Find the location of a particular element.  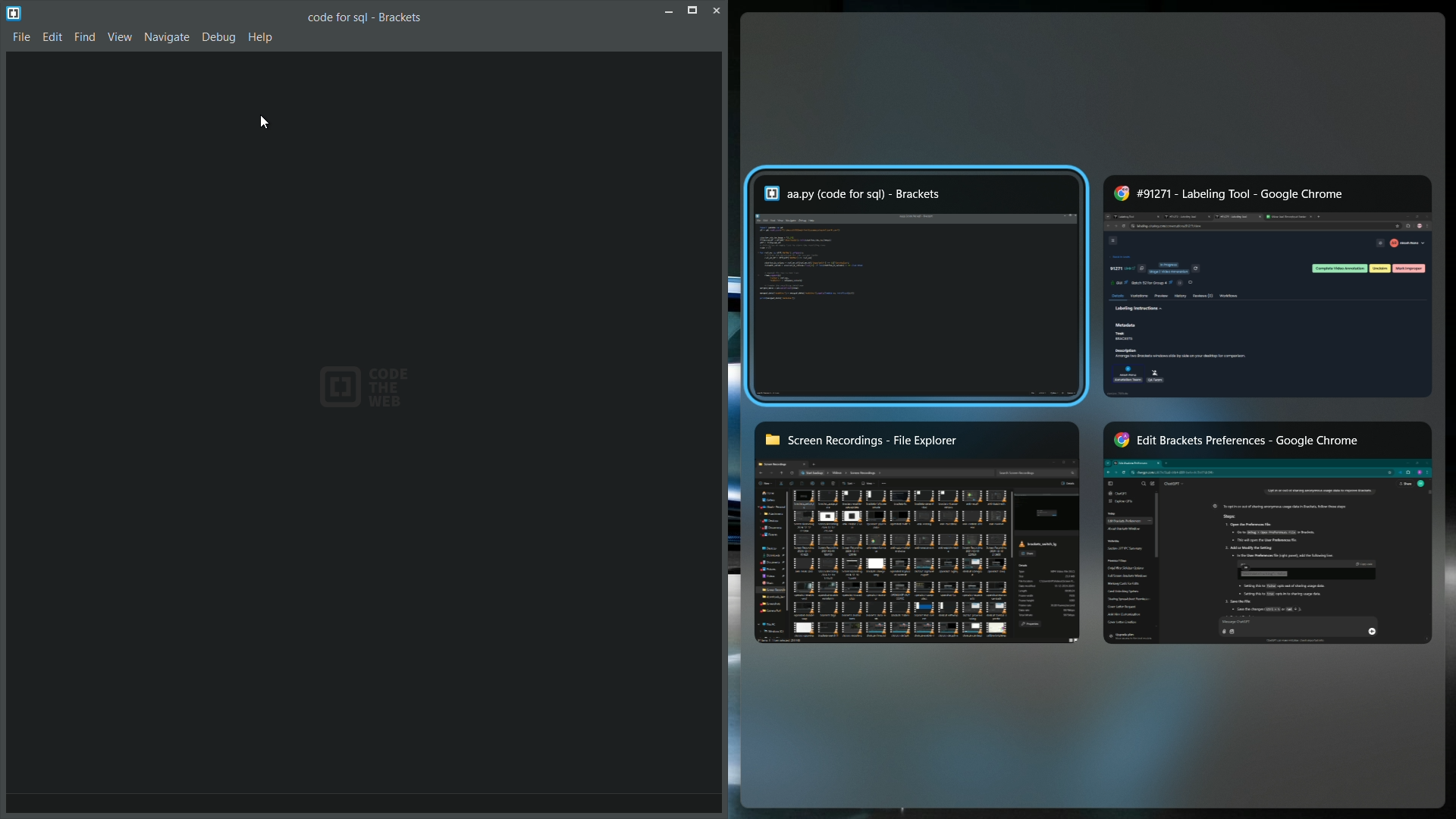

screen recordings folder window is located at coordinates (916, 532).